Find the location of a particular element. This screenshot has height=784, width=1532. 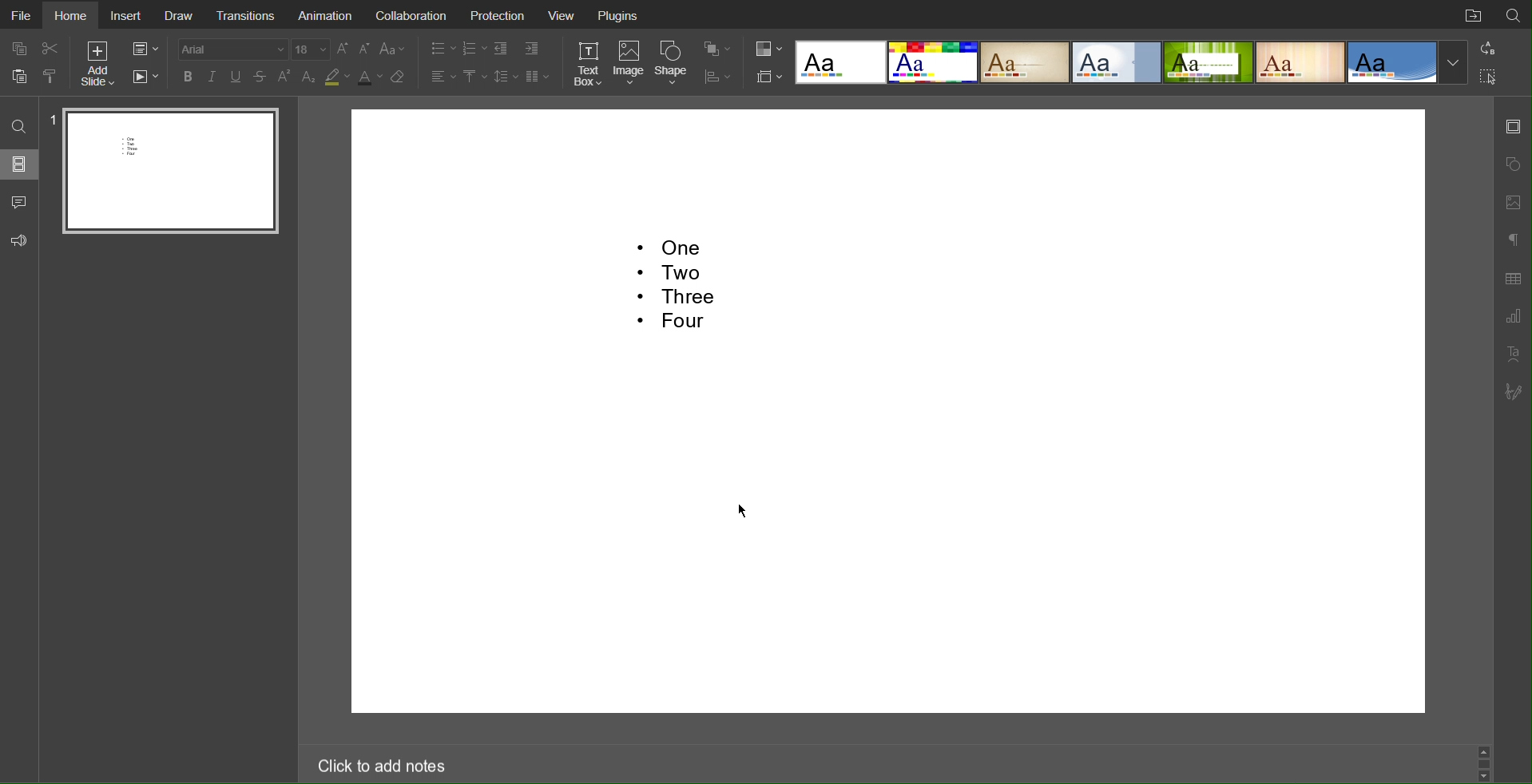

Text Art is located at coordinates (1512, 353).